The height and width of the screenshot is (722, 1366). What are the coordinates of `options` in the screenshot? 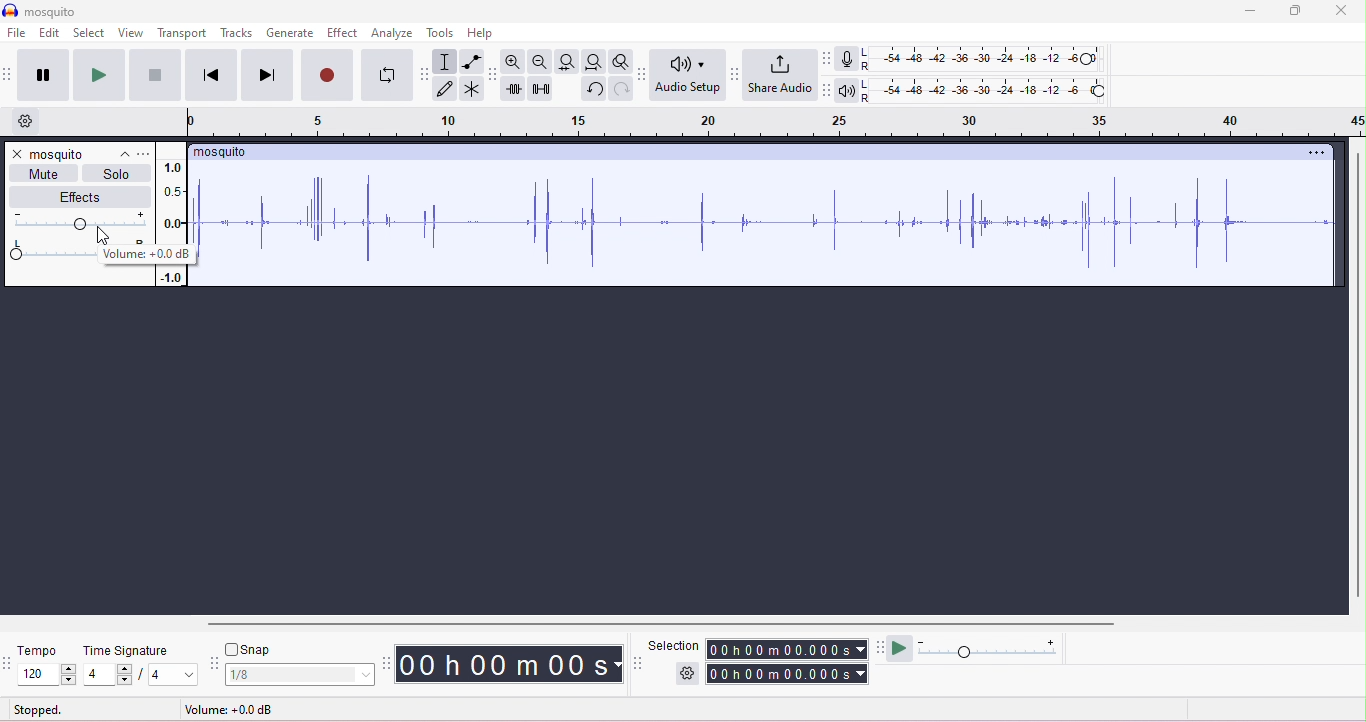 It's located at (1316, 153).